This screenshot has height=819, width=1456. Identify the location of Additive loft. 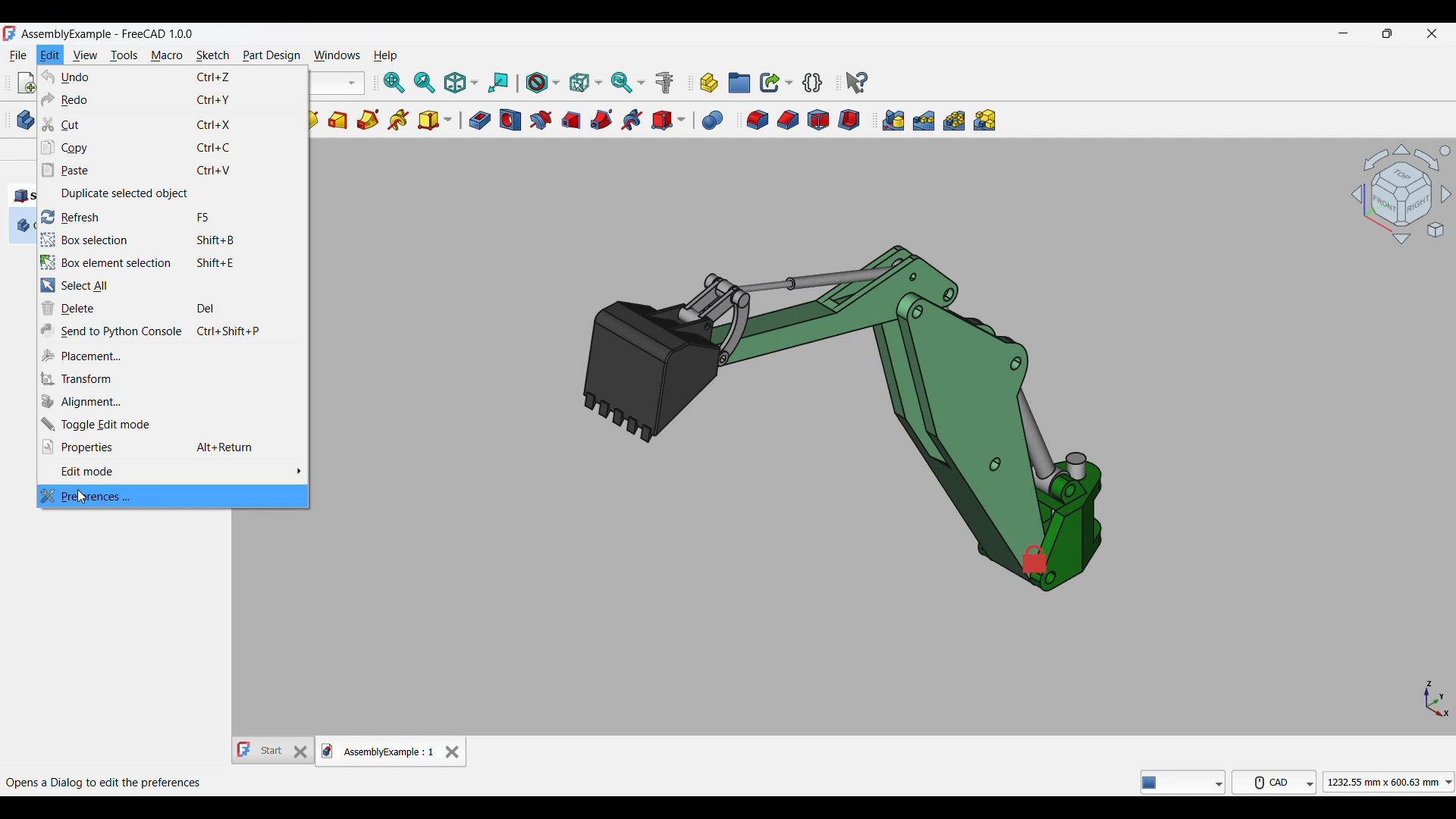
(337, 120).